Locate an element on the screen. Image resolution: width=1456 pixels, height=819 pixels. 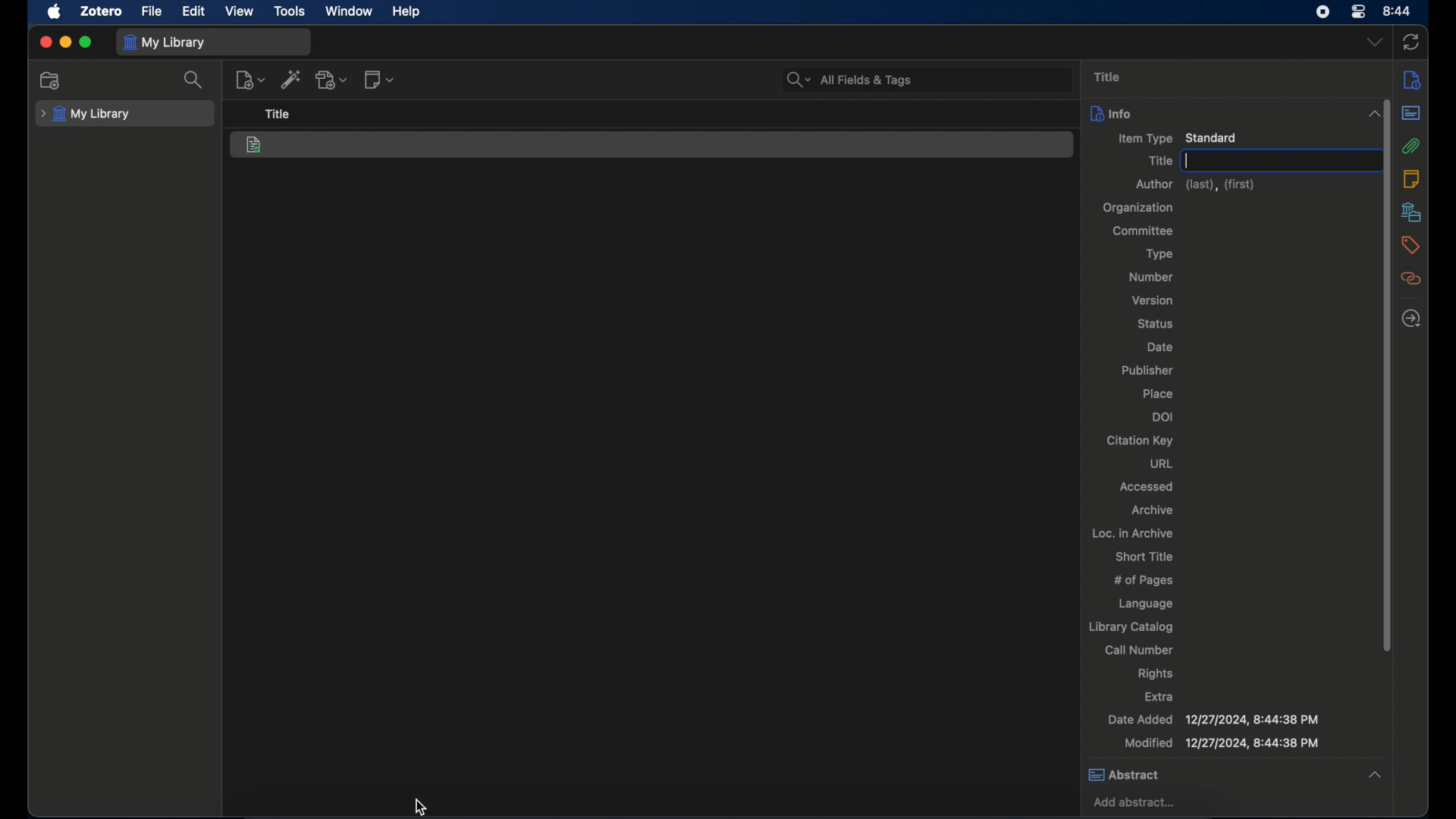
info is located at coordinates (1216, 112).